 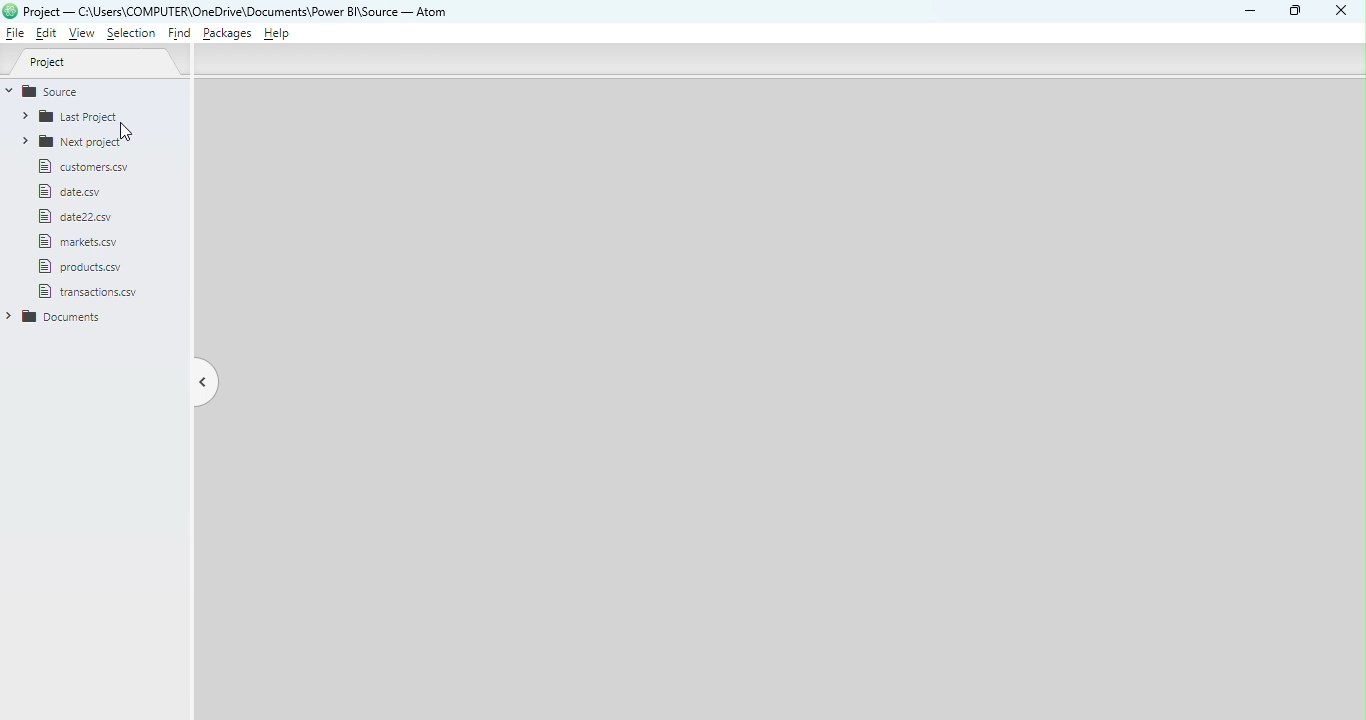 What do you see at coordinates (81, 142) in the screenshot?
I see `Folder` at bounding box center [81, 142].